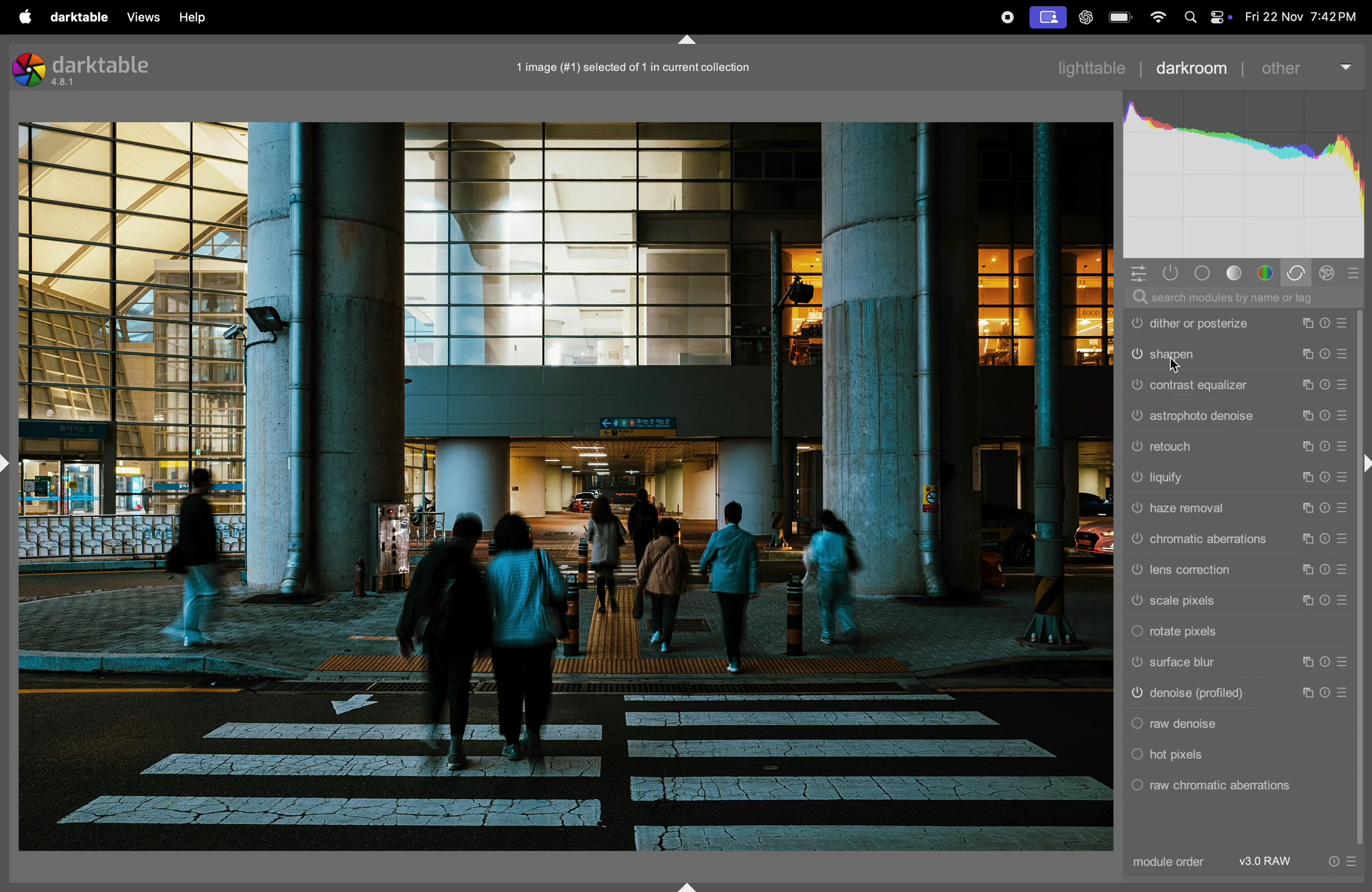  Describe the element at coordinates (1237, 446) in the screenshot. I see `retouch` at that location.